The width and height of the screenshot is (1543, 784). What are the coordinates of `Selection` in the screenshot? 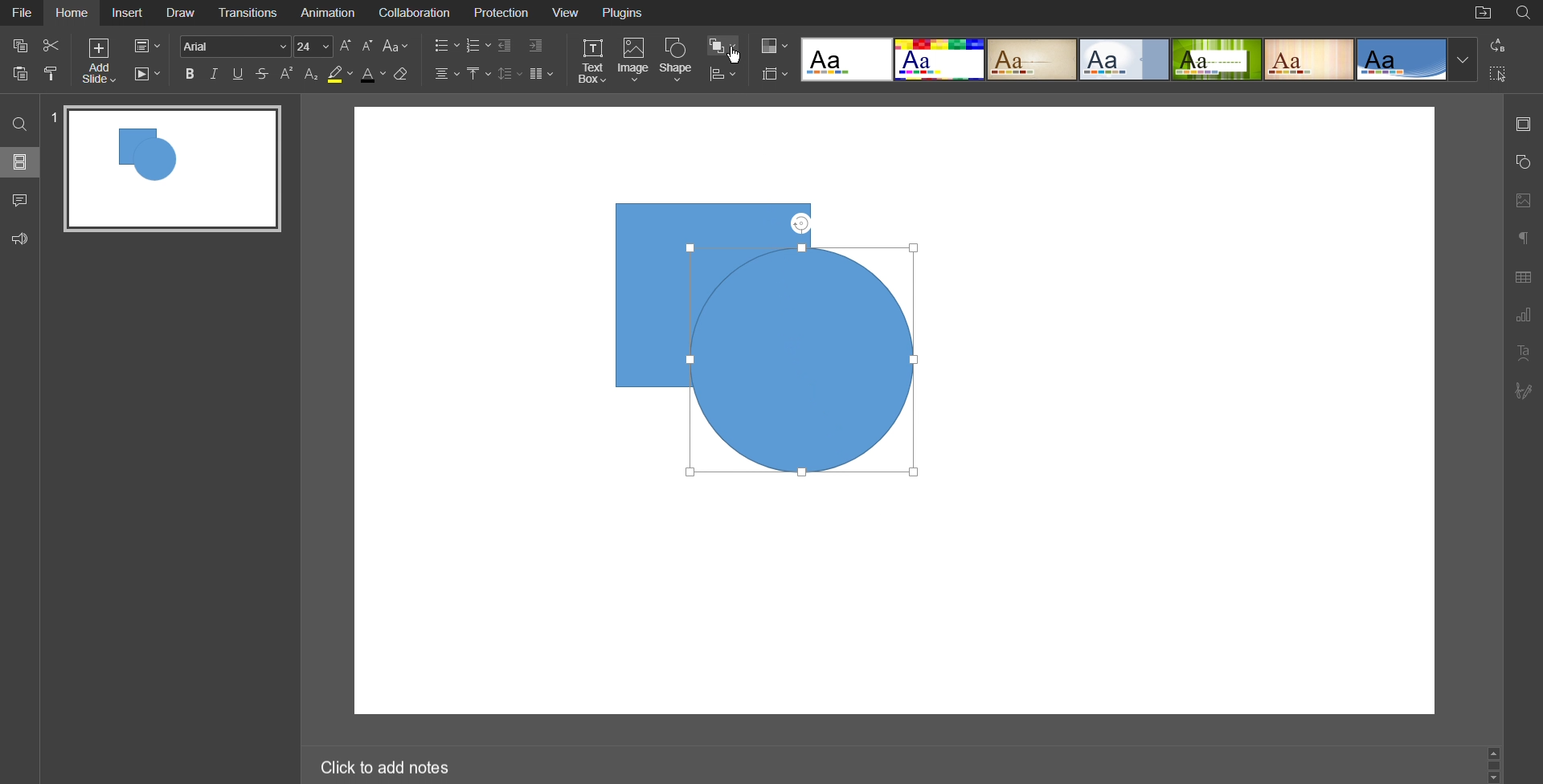 It's located at (1498, 74).